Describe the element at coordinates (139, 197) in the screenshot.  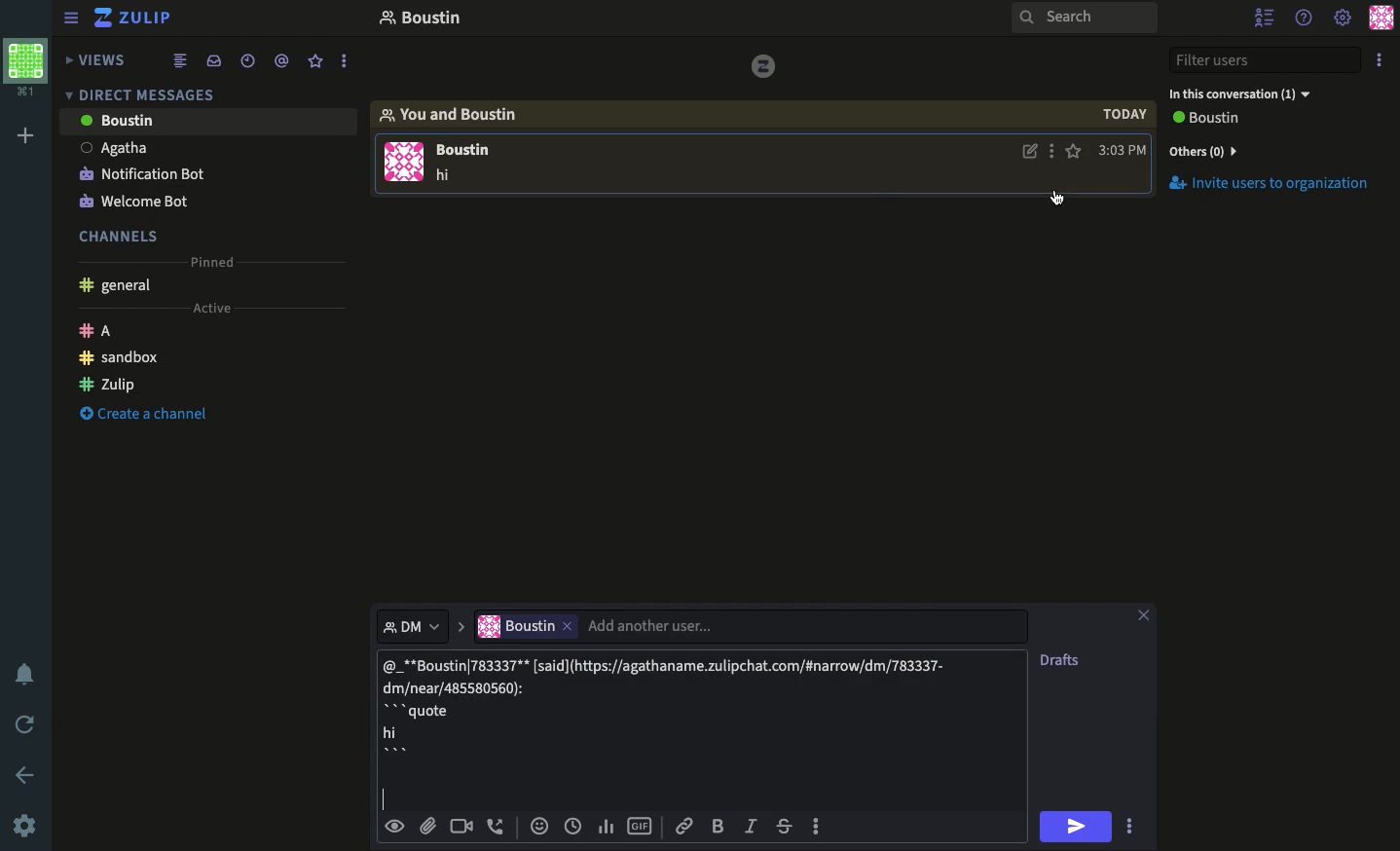
I see `Welcome bot` at that location.